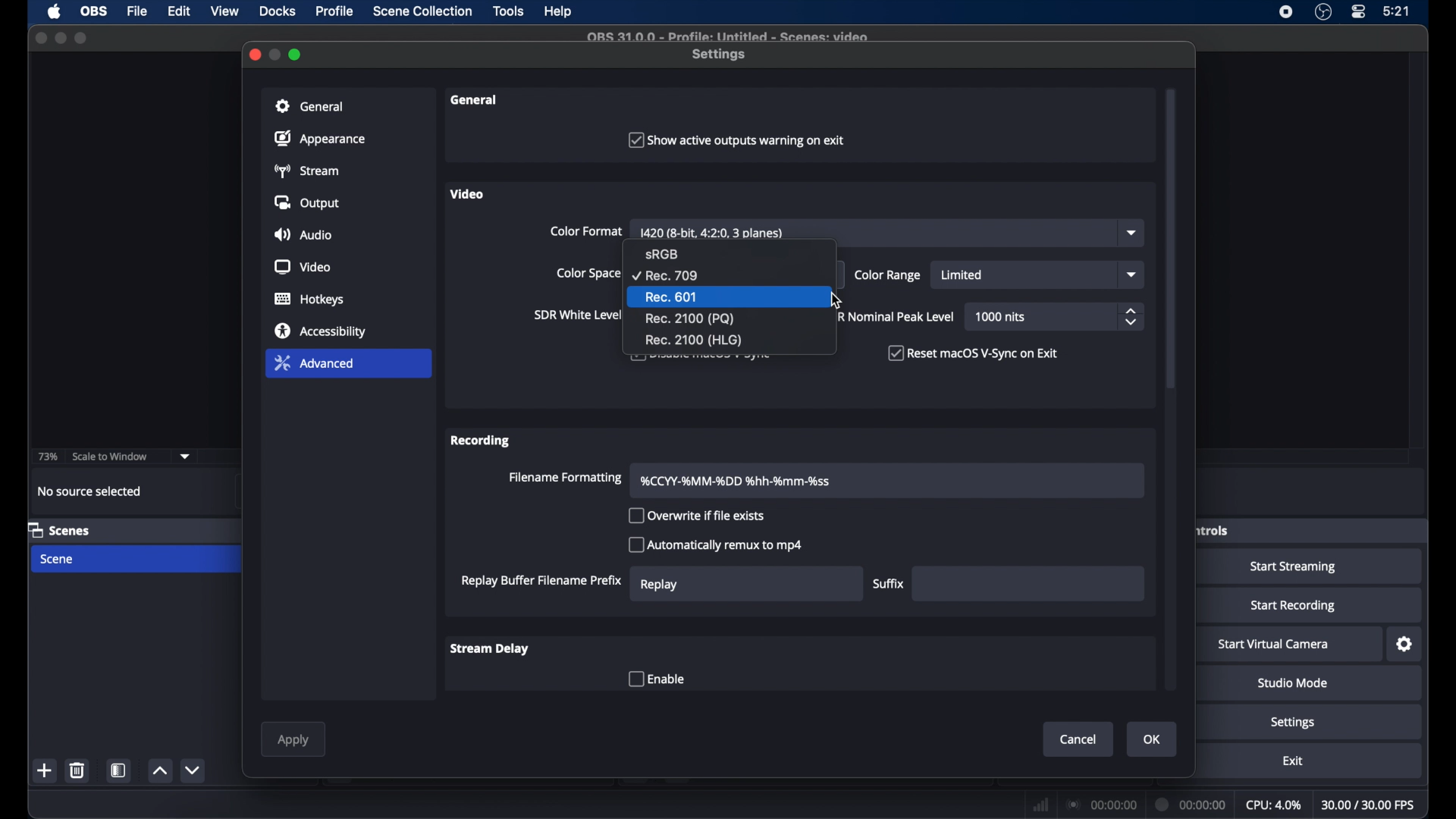  I want to click on obscure label, so click(1214, 529).